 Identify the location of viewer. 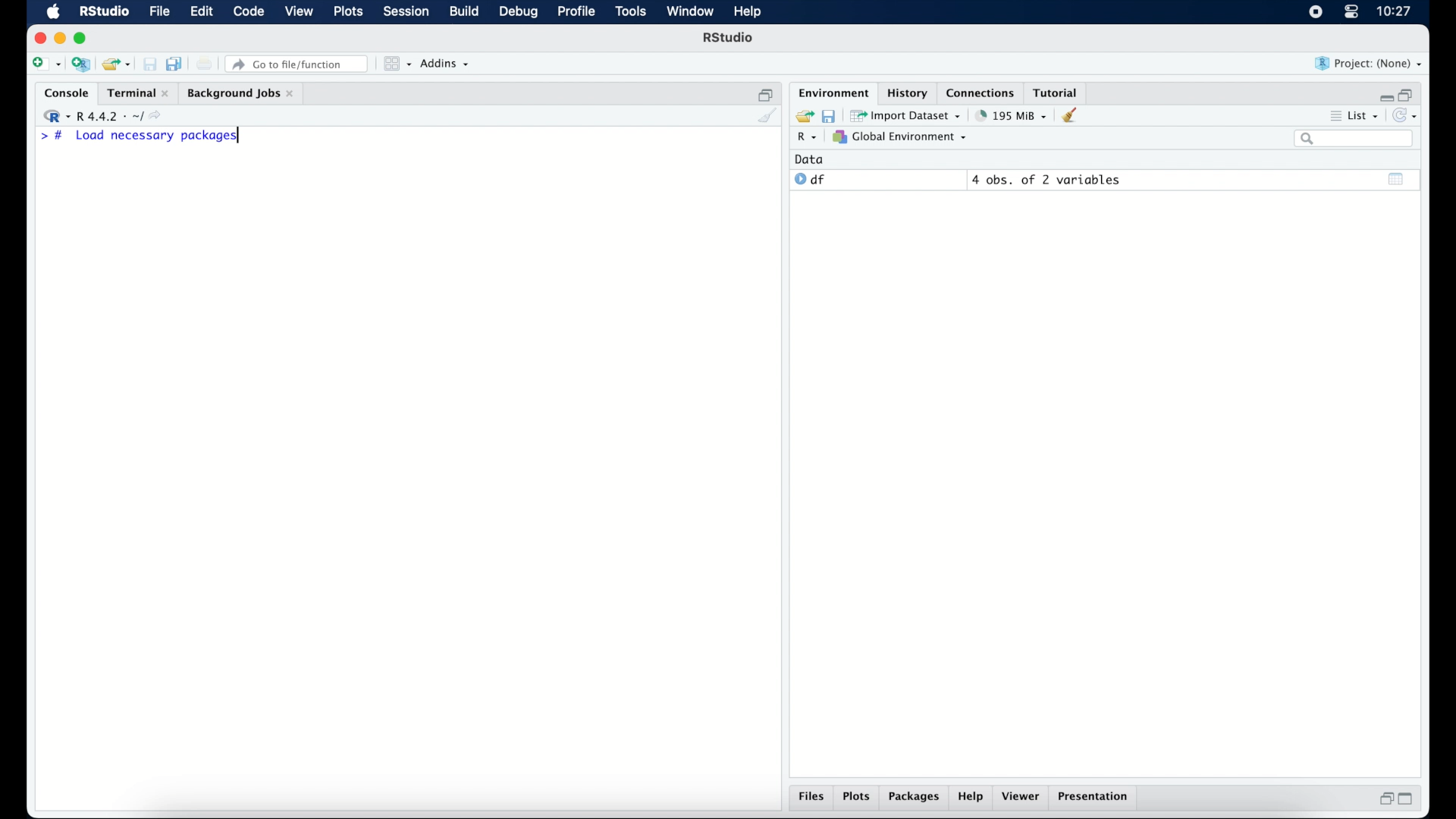
(1024, 798).